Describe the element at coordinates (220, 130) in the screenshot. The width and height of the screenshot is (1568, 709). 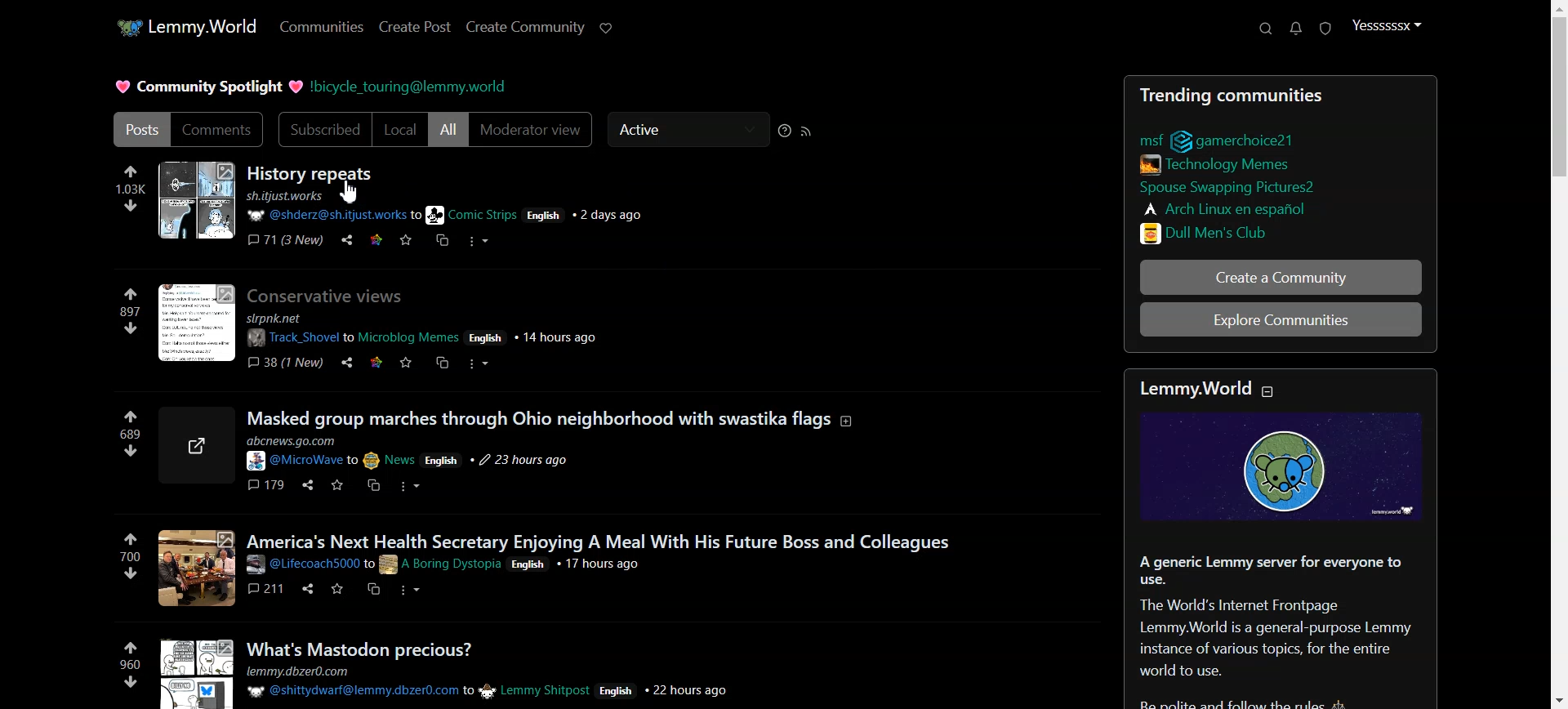
I see `Comments` at that location.